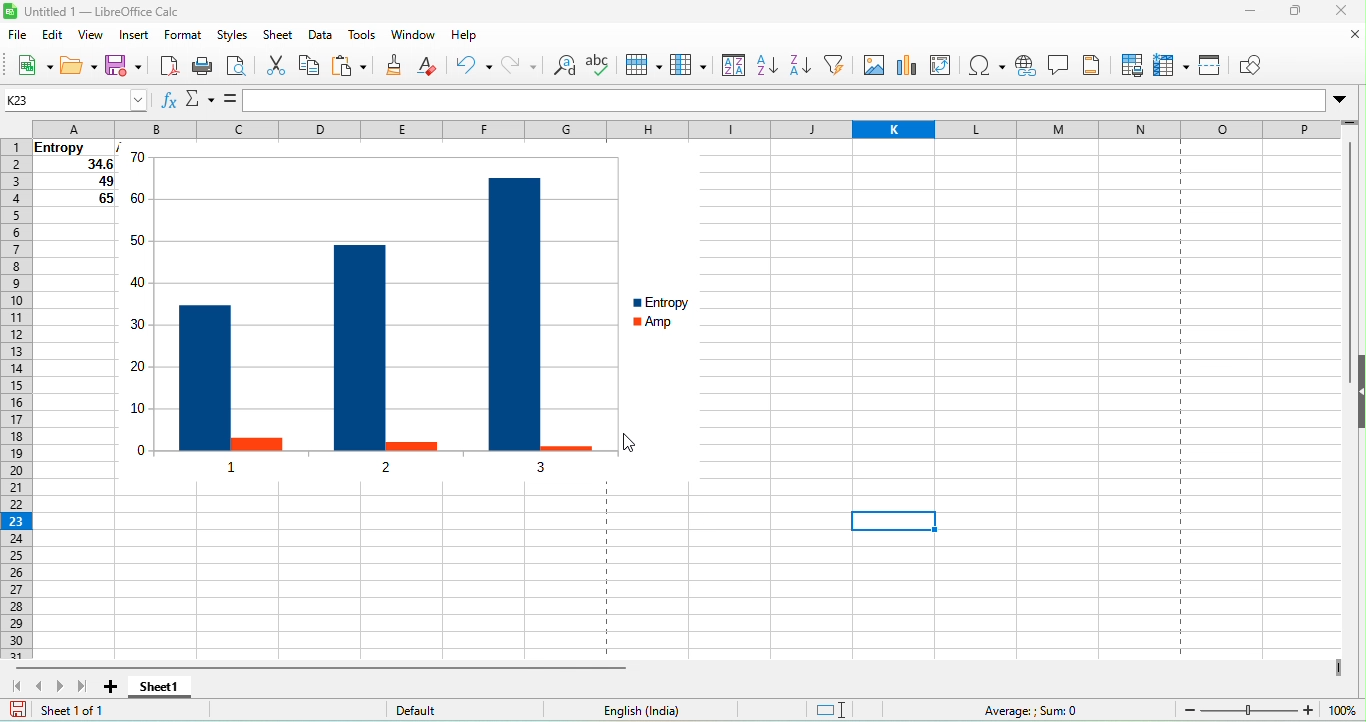  I want to click on add sheet, so click(117, 688).